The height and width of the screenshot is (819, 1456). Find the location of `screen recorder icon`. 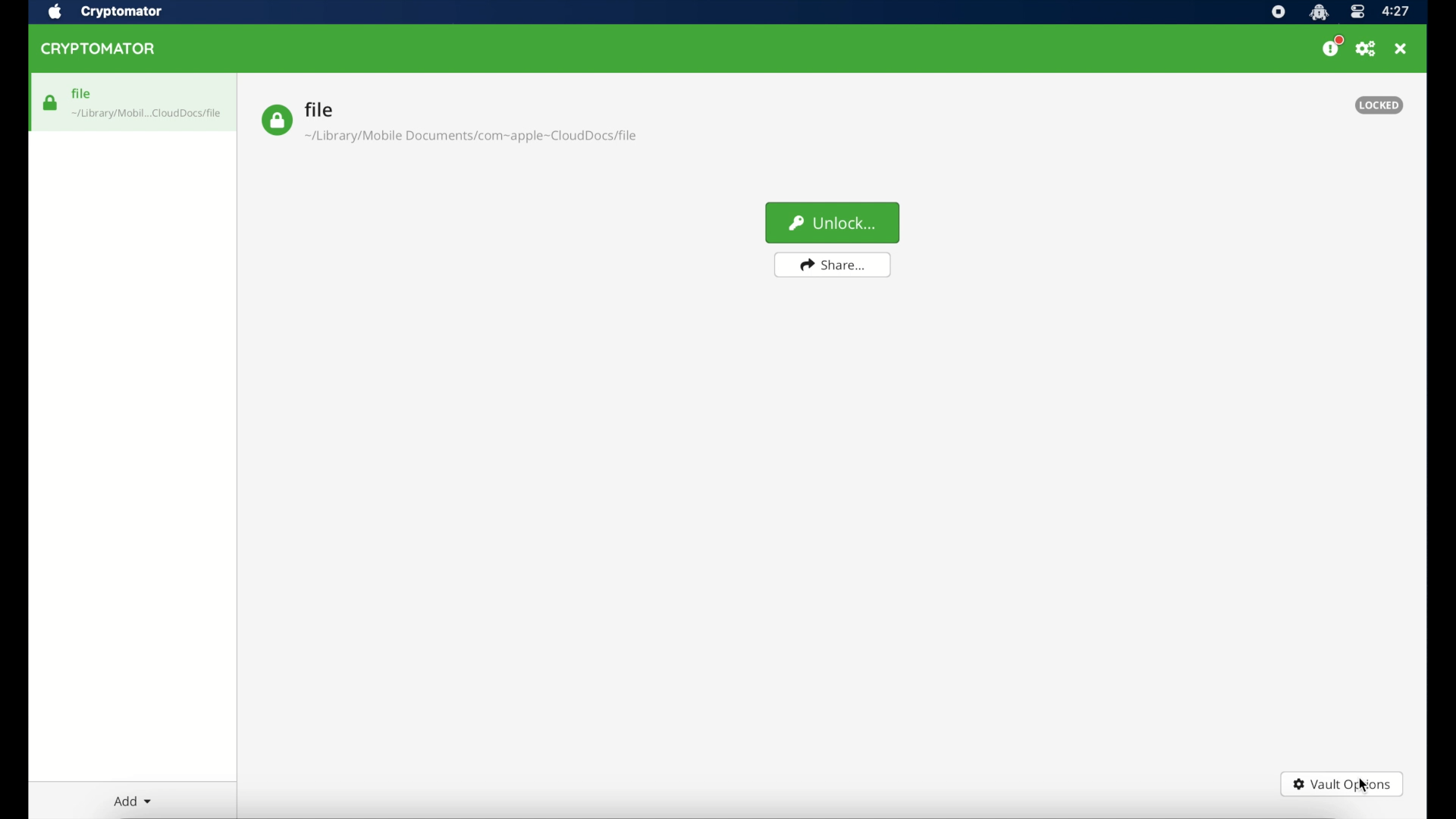

screen recorder icon is located at coordinates (1278, 12).